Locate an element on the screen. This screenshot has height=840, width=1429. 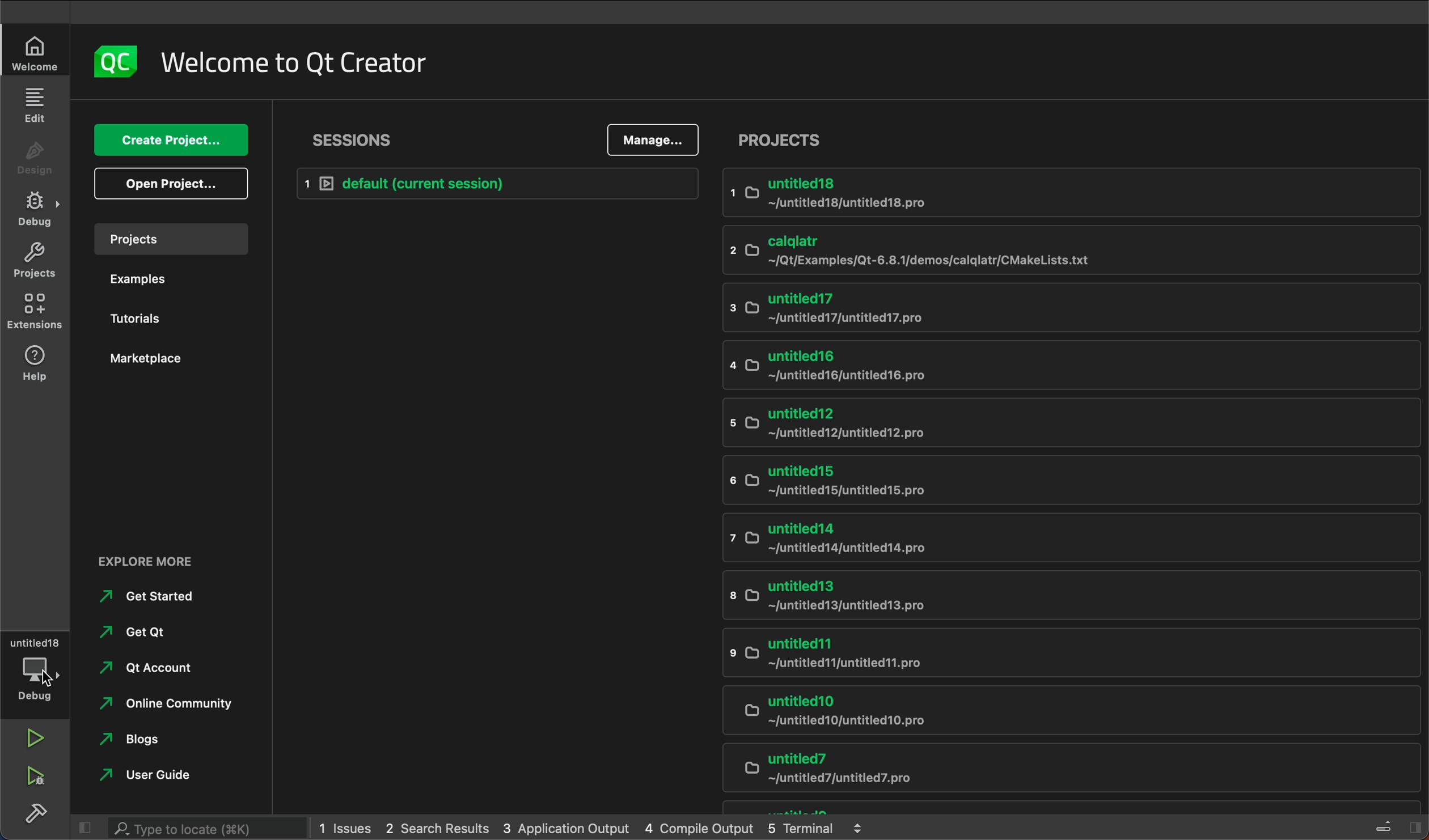
qt account is located at coordinates (139, 666).